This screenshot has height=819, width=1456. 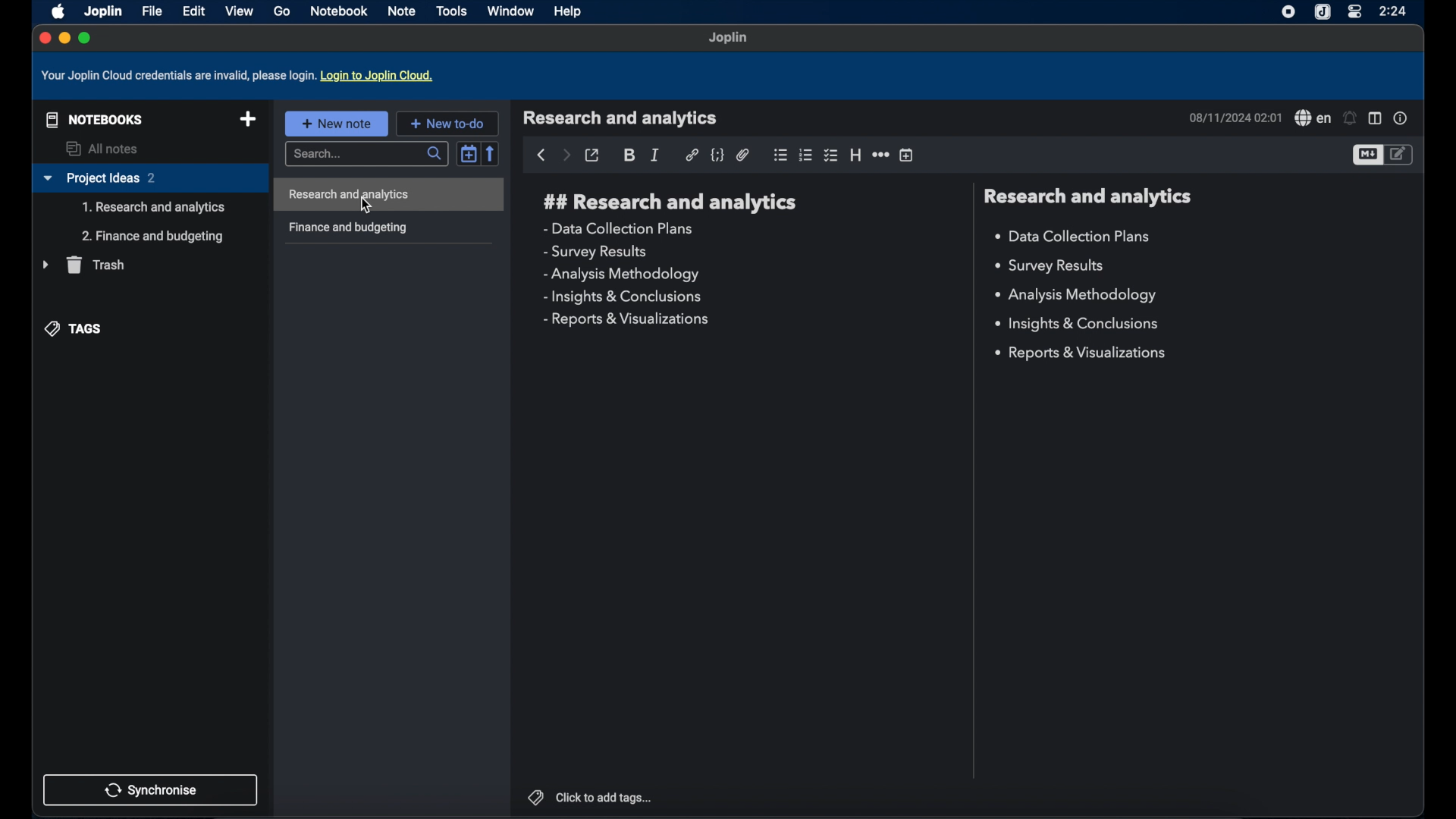 What do you see at coordinates (1056, 266) in the screenshot?
I see `survey results` at bounding box center [1056, 266].